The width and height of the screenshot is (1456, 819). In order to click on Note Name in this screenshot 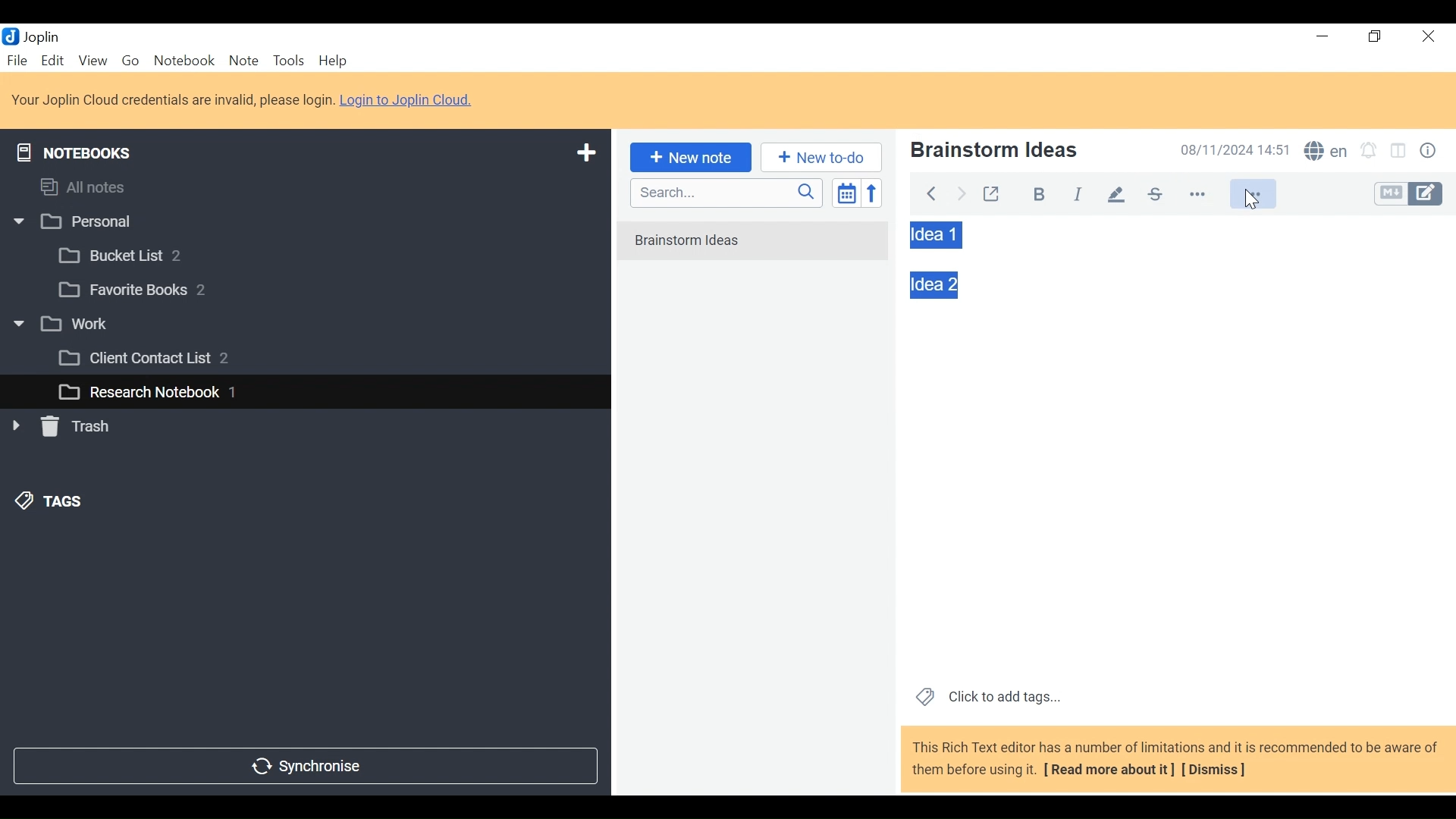, I will do `click(1026, 152)`.